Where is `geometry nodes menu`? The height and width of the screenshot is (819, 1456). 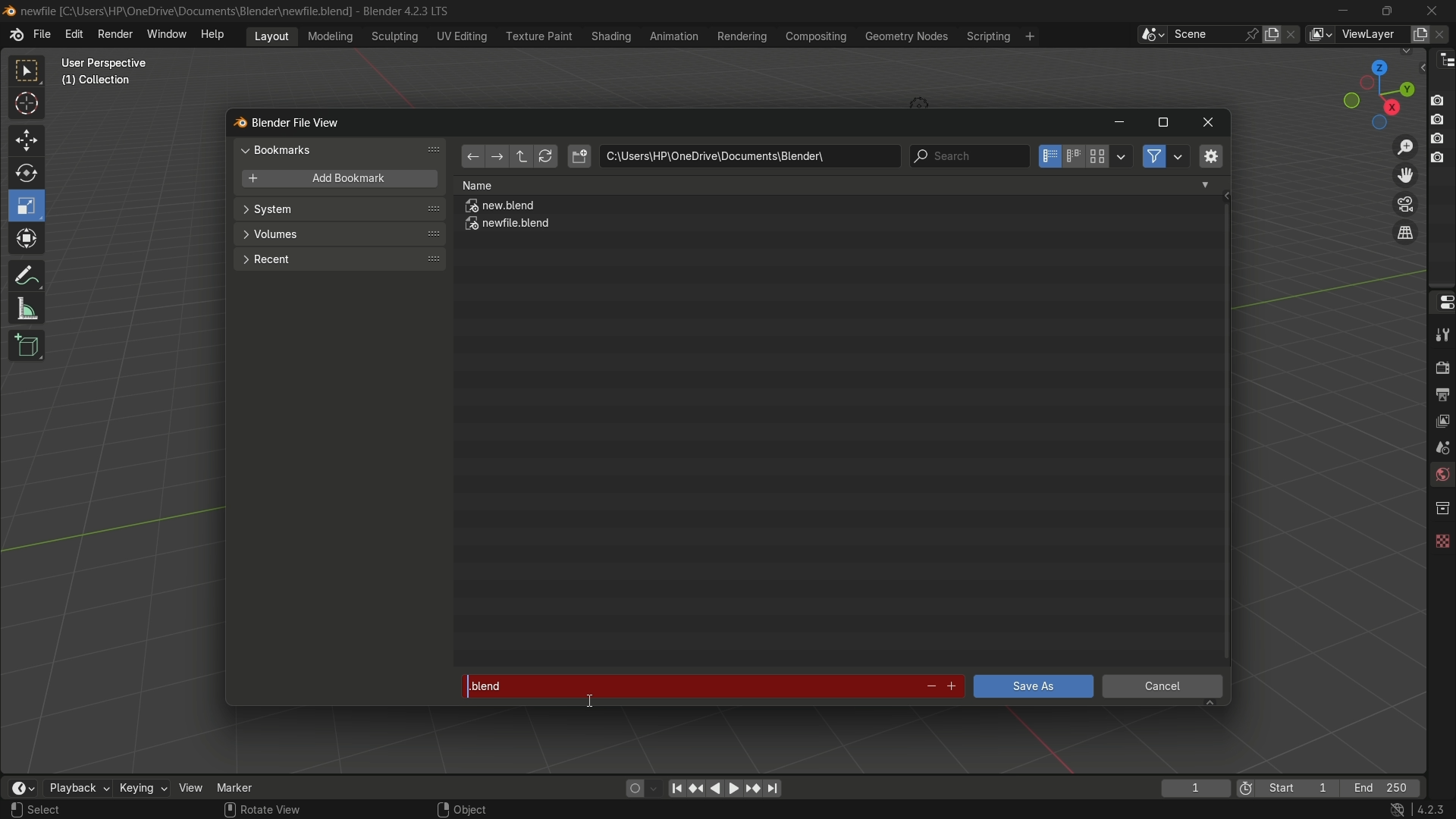 geometry nodes menu is located at coordinates (905, 36).